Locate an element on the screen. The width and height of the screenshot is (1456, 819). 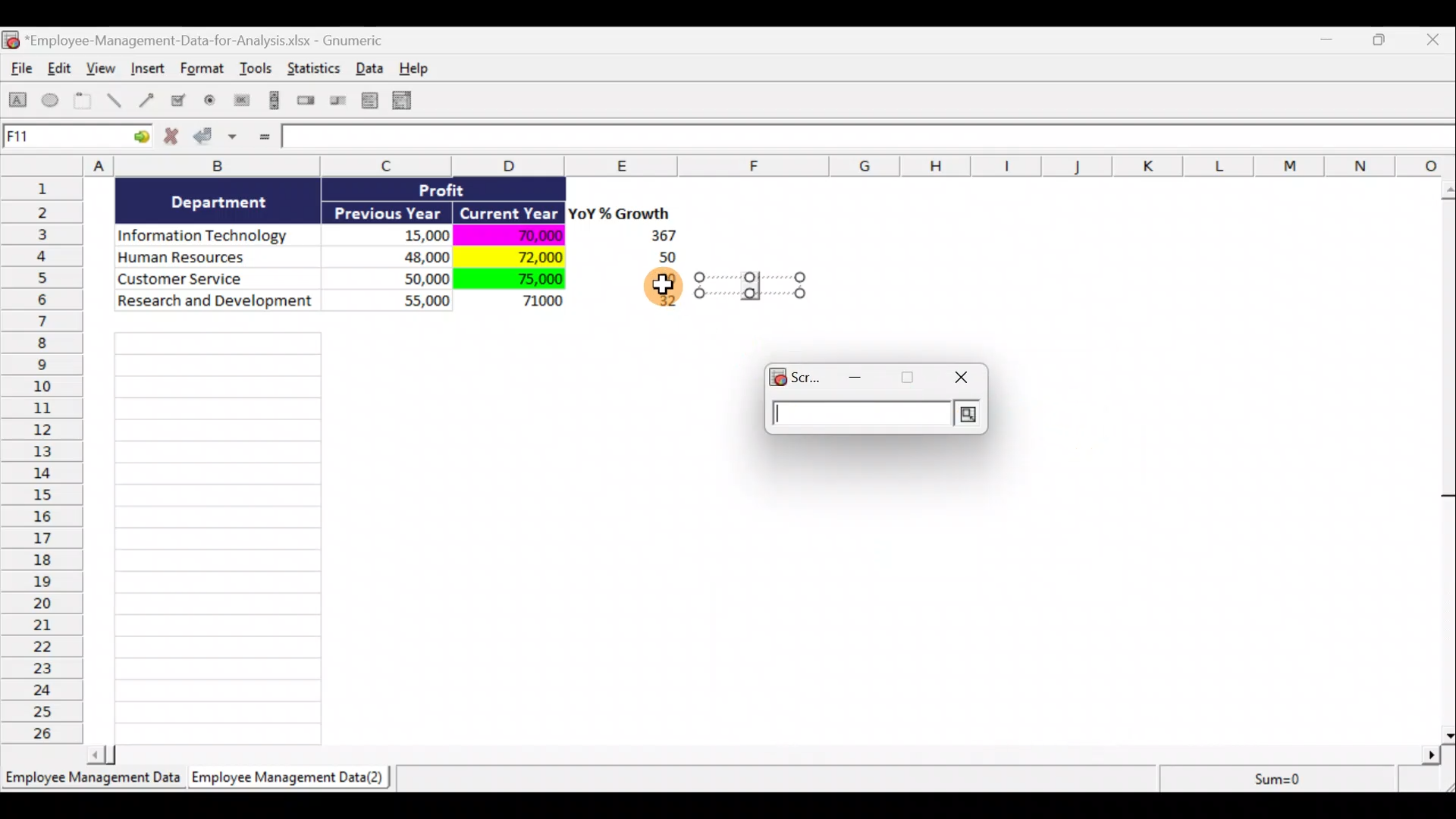
Create a slider is located at coordinates (336, 103).